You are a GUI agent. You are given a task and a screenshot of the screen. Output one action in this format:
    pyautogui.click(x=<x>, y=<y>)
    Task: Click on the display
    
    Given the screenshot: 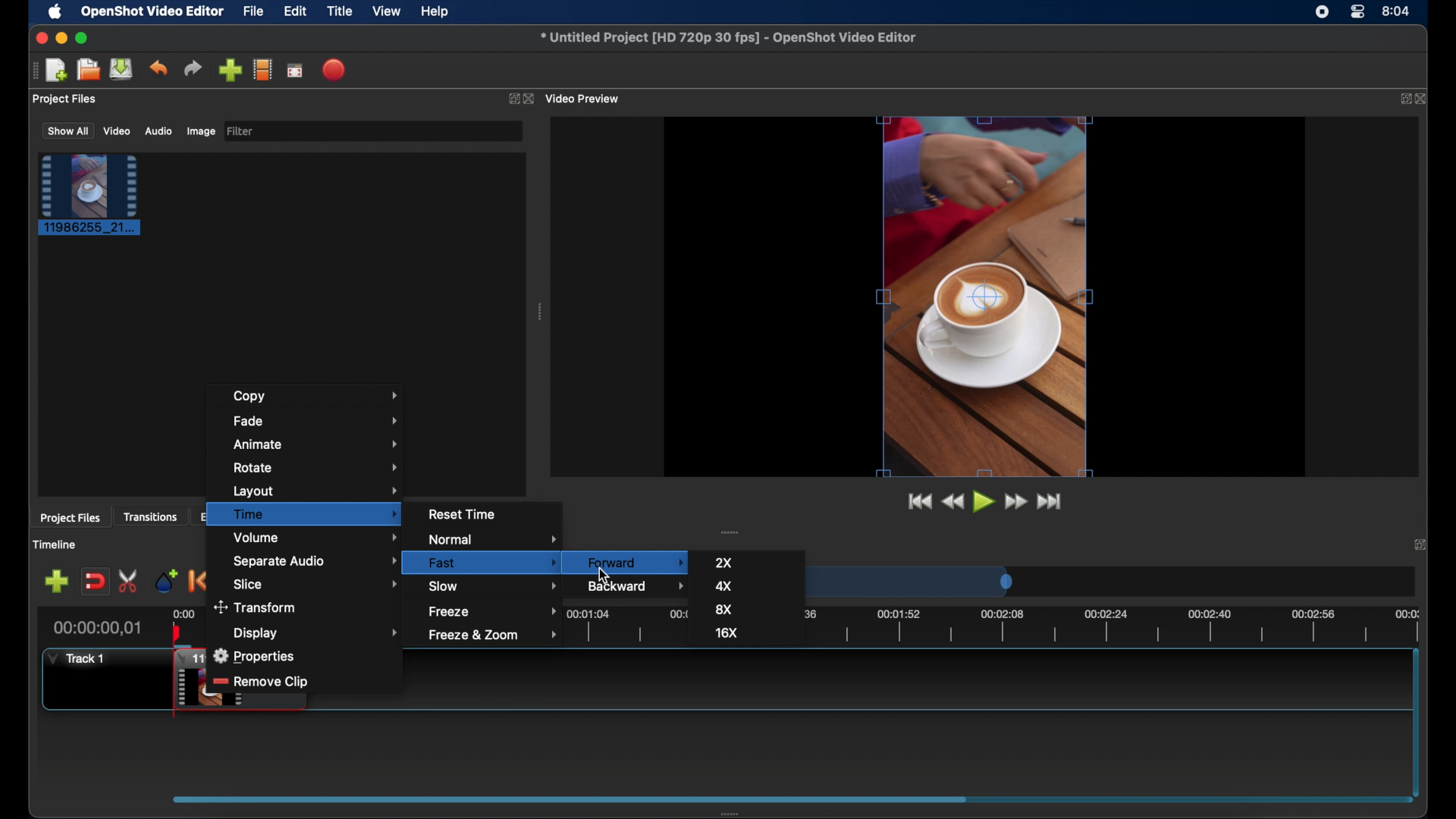 What is the action you would take?
    pyautogui.click(x=318, y=632)
    